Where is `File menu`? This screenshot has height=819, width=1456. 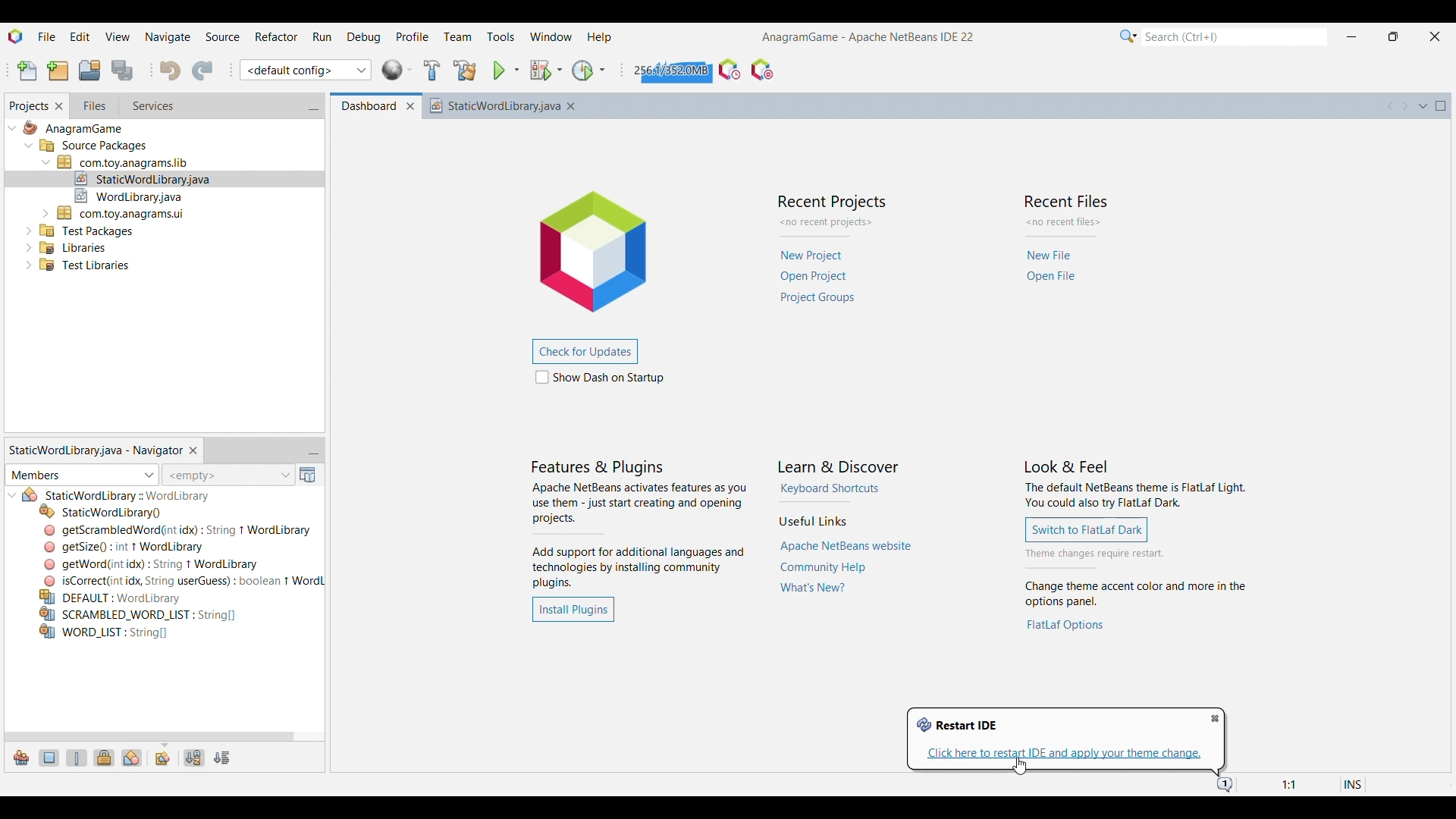 File menu is located at coordinates (47, 36).